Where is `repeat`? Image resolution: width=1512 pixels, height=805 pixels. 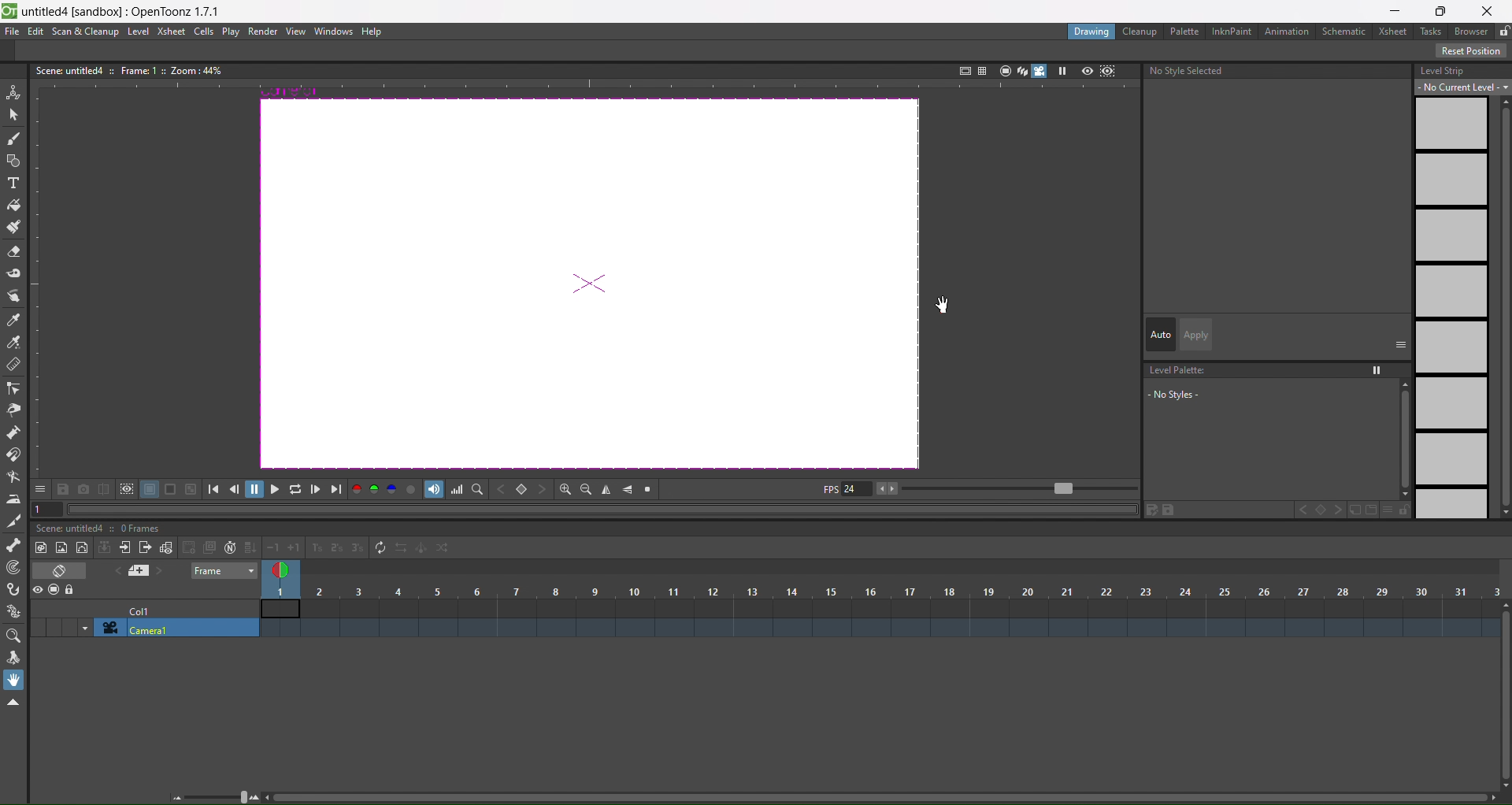 repeat is located at coordinates (376, 547).